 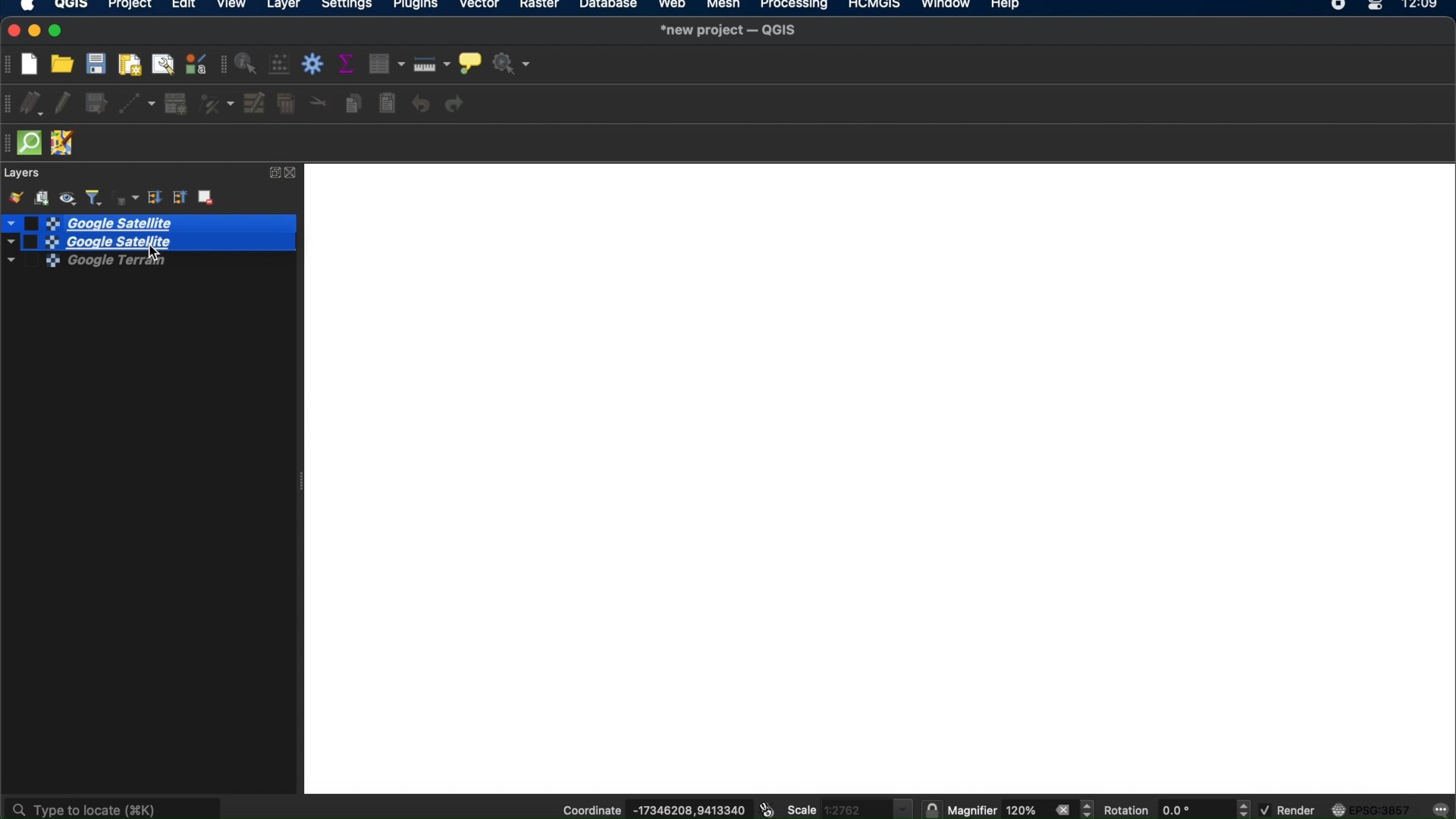 I want to click on settings, so click(x=347, y=6).